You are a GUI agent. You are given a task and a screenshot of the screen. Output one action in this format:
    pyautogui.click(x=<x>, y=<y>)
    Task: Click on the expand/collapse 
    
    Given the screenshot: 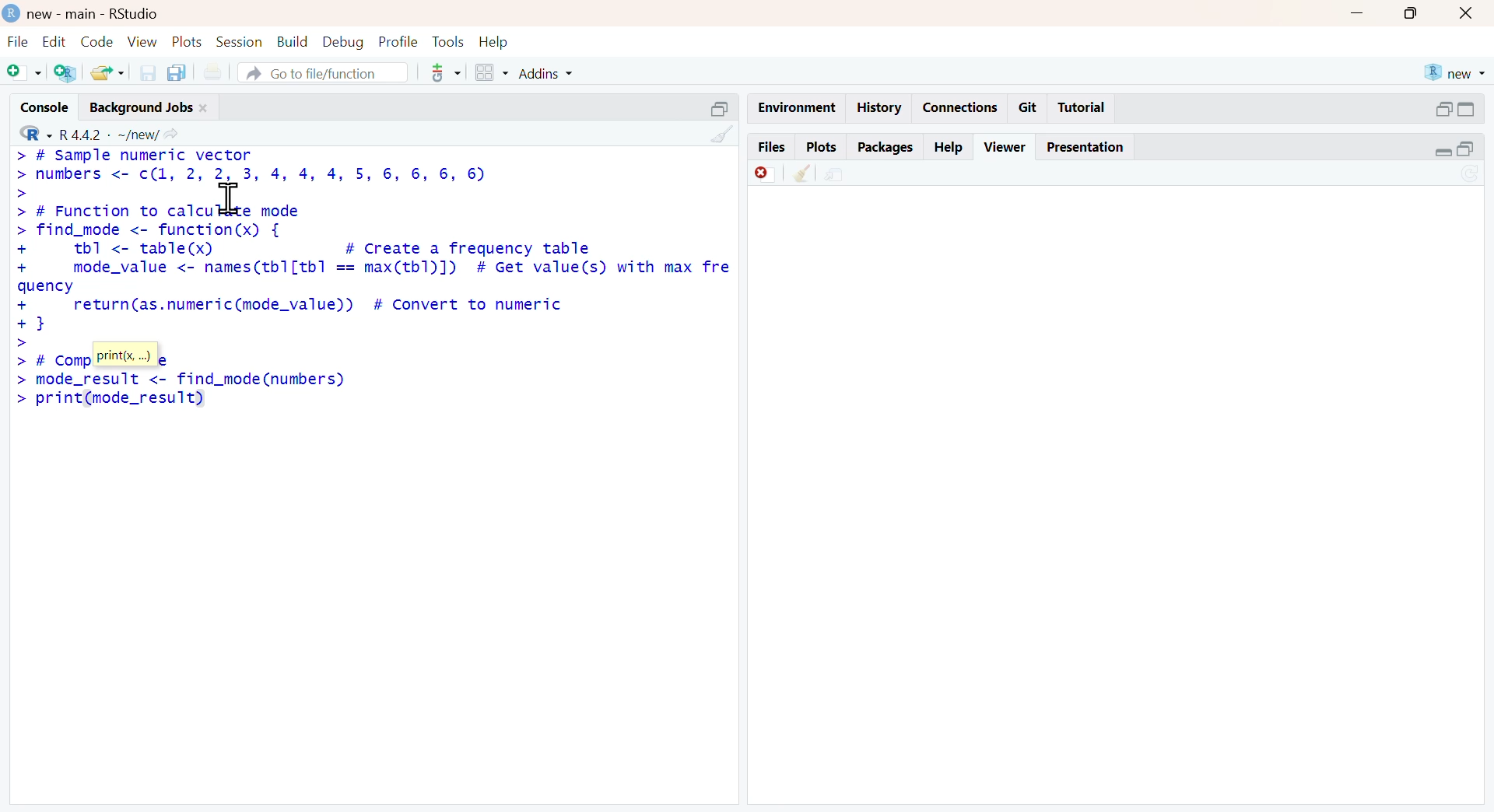 What is the action you would take?
    pyautogui.click(x=1442, y=152)
    